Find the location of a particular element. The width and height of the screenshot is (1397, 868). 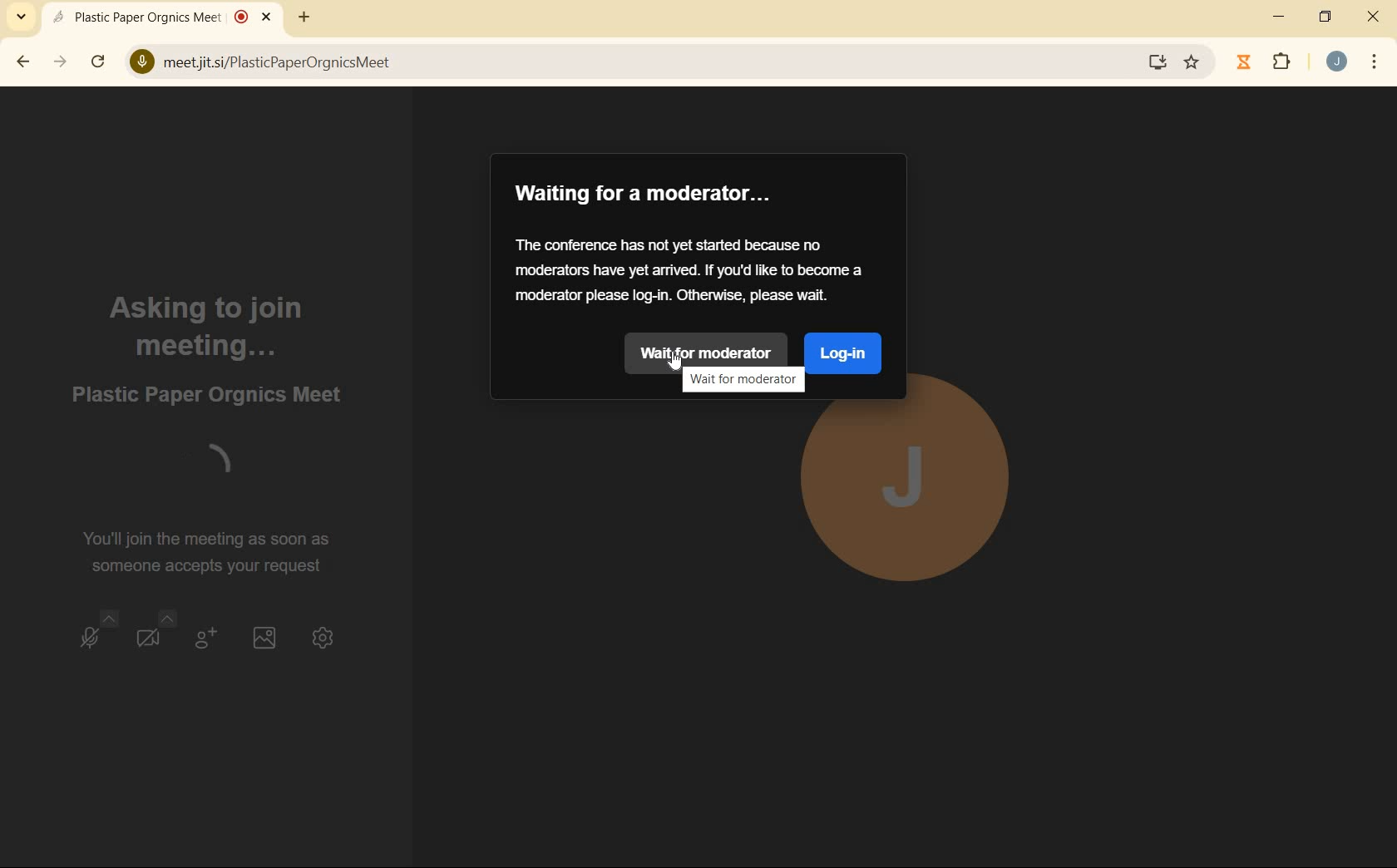

forward is located at coordinates (62, 62).